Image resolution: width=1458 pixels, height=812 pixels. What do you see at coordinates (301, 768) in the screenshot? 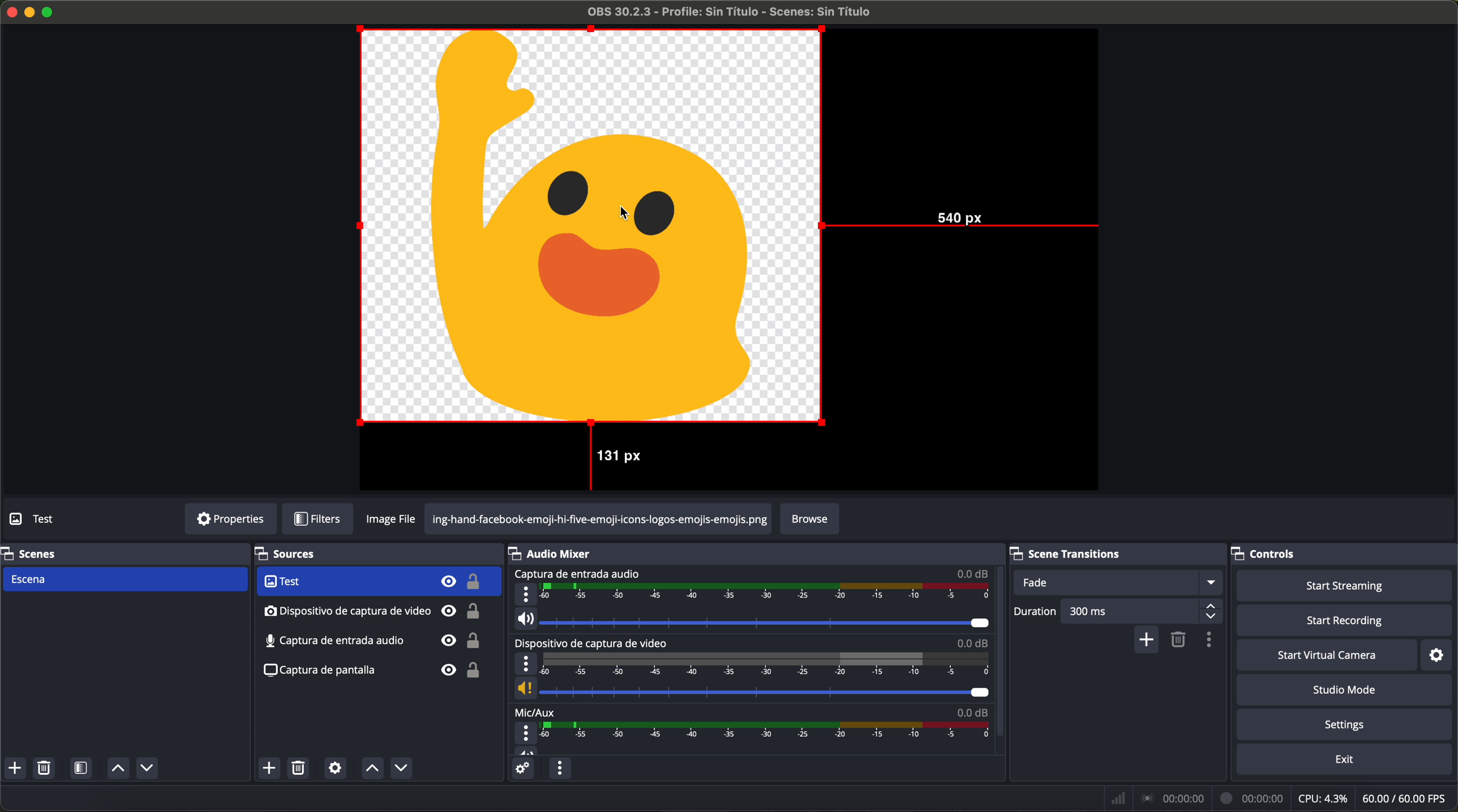
I see `remove selected source` at bounding box center [301, 768].